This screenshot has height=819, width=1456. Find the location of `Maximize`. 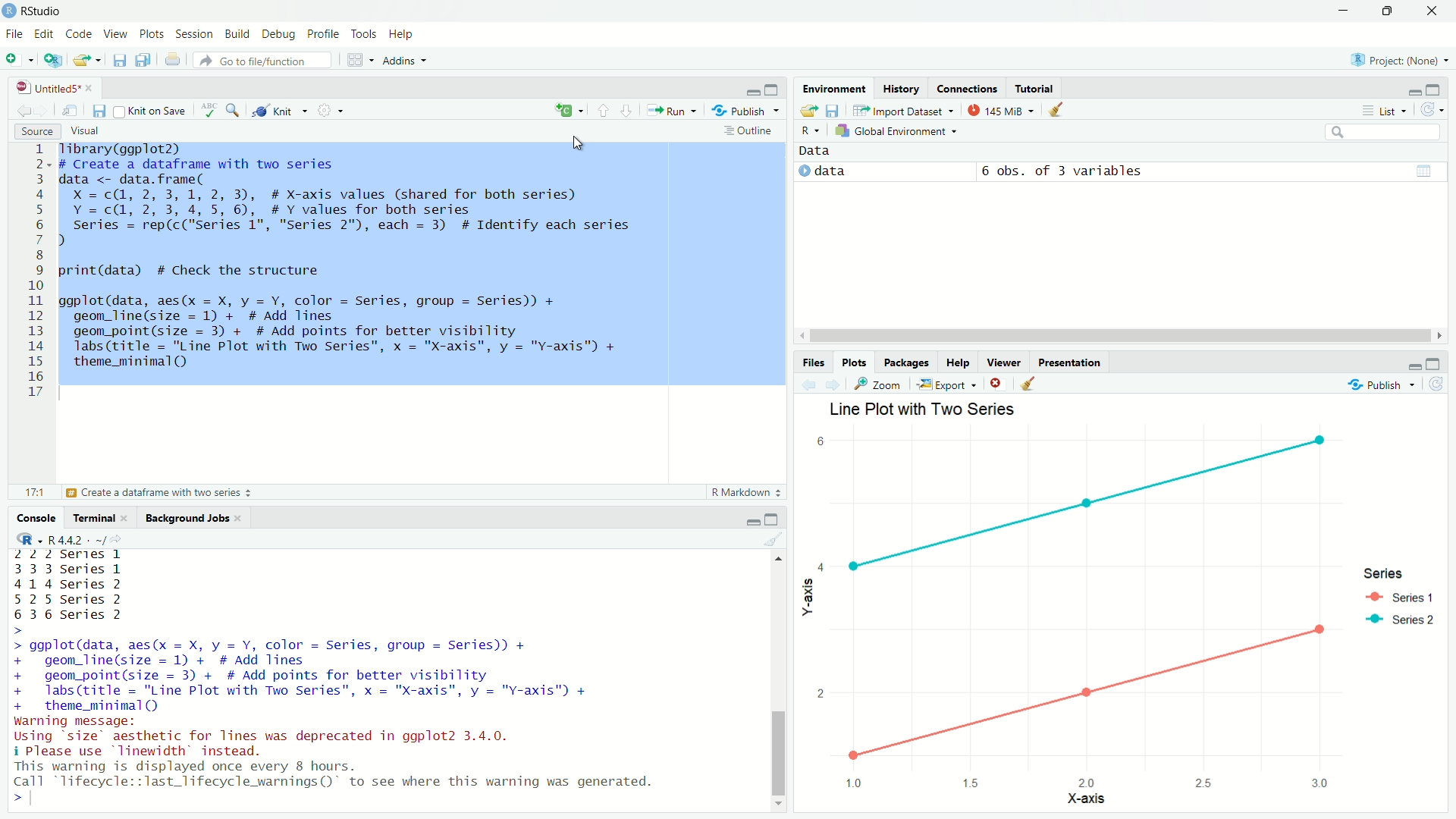

Maximize is located at coordinates (773, 89).